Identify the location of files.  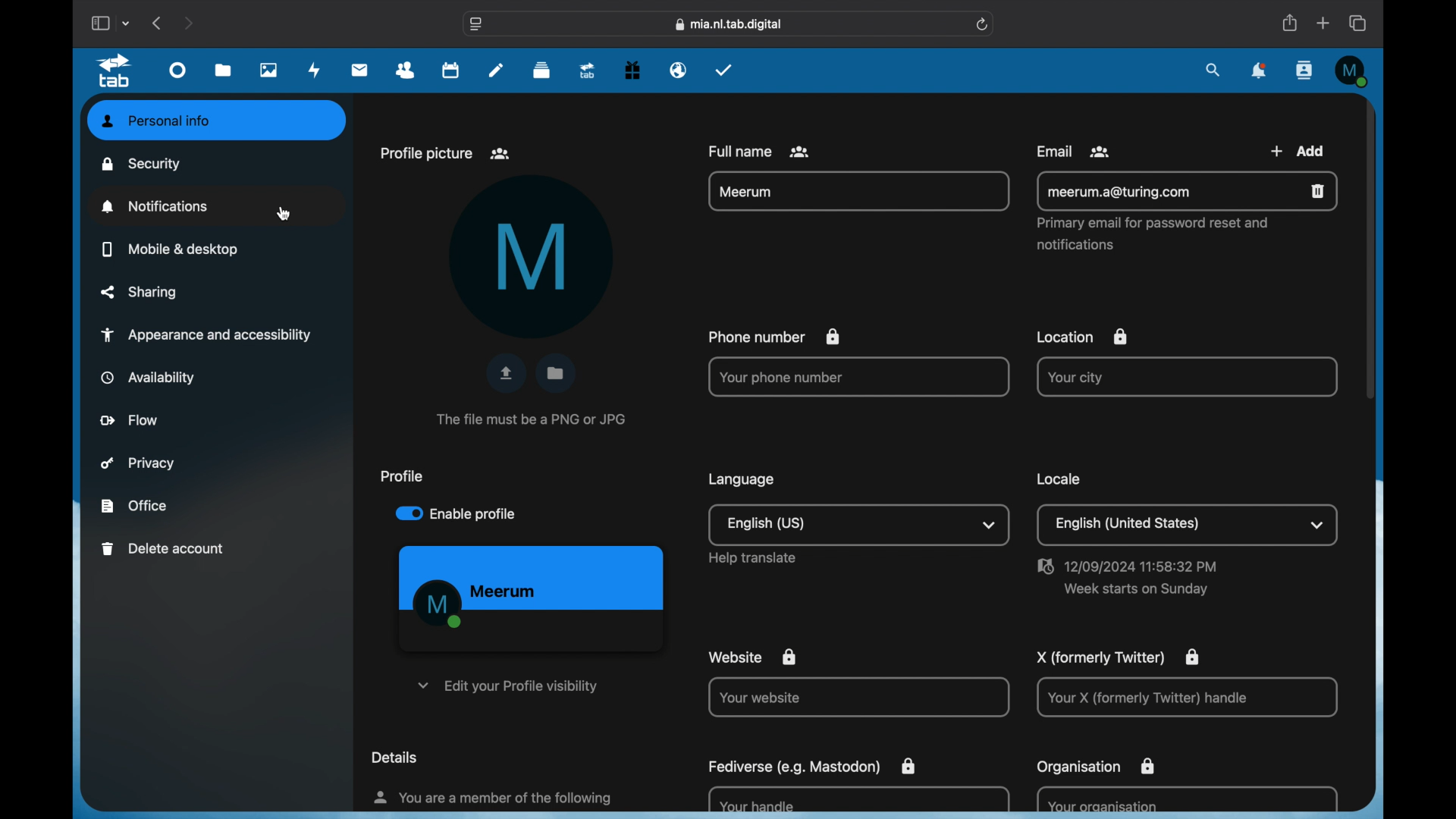
(224, 71).